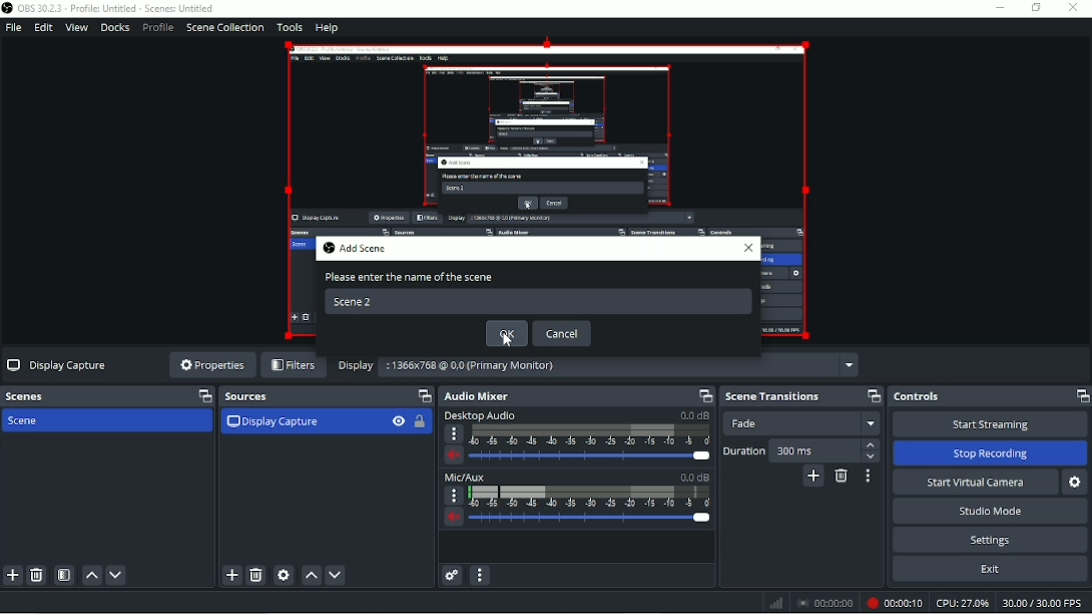 The width and height of the screenshot is (1092, 614). I want to click on Sources, so click(247, 398).